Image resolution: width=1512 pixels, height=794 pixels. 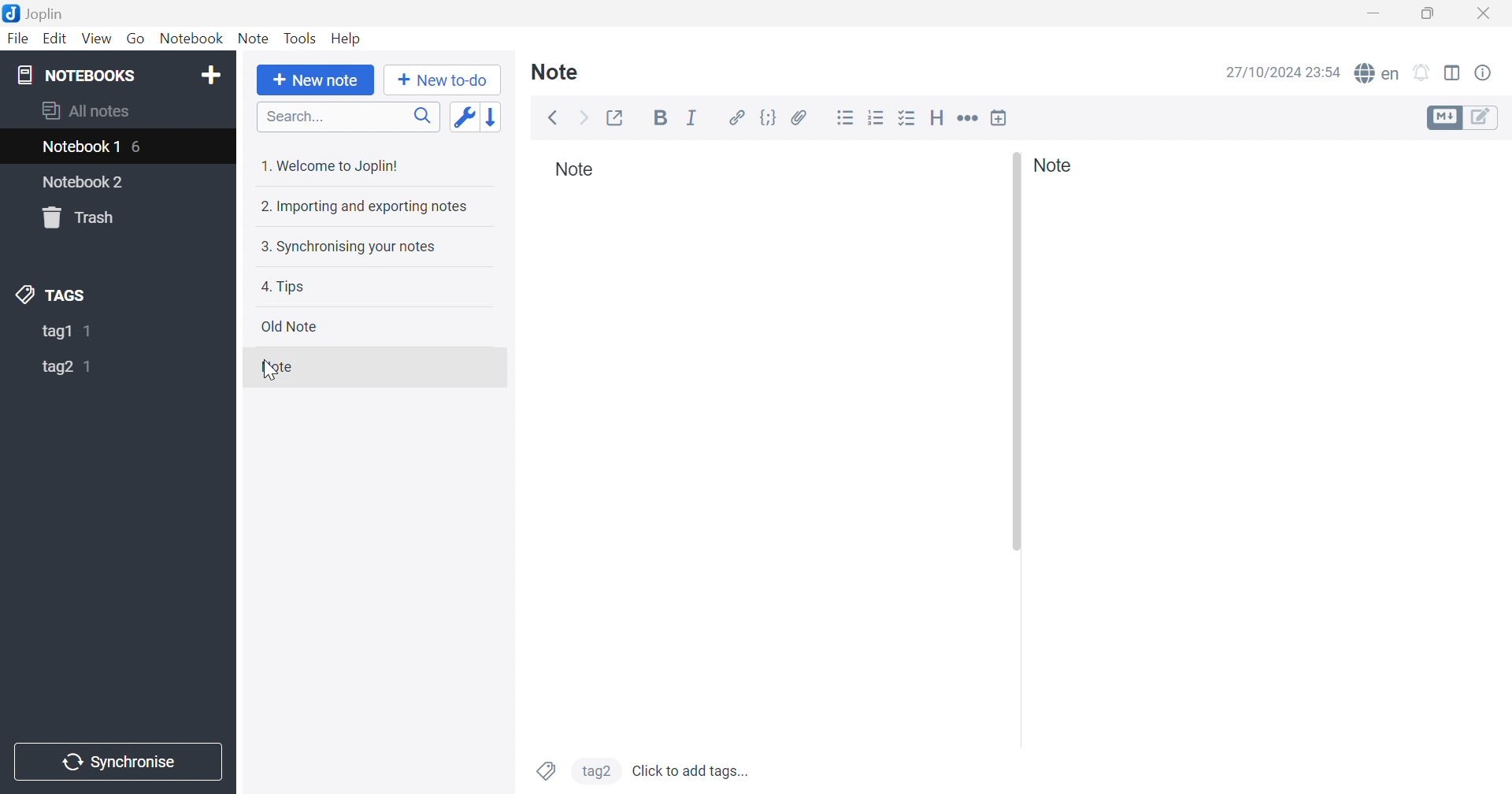 I want to click on Search..., so click(x=291, y=118).